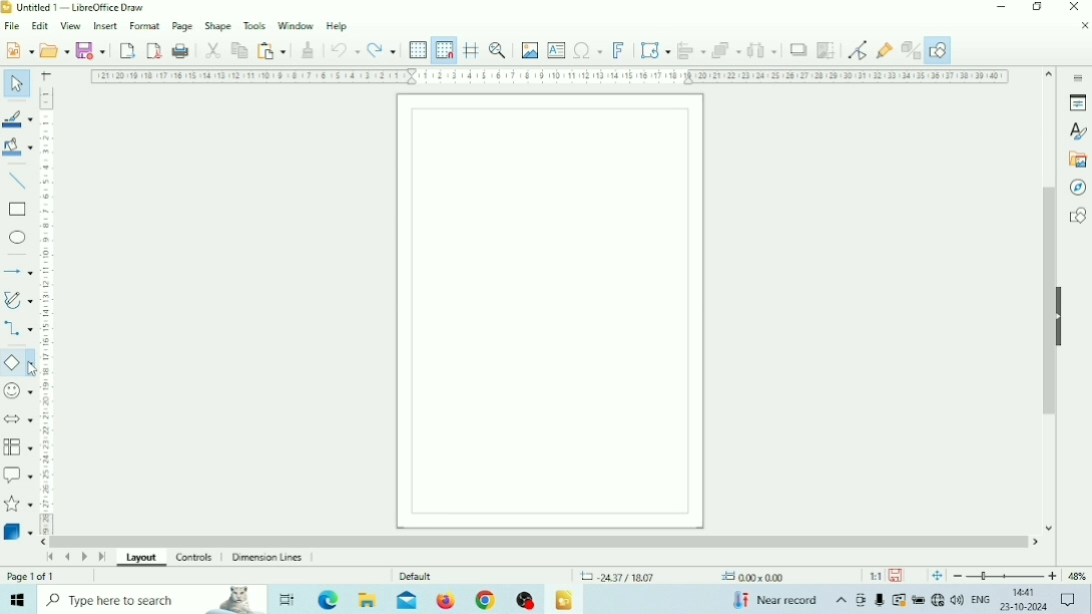 The height and width of the screenshot is (614, 1092). What do you see at coordinates (19, 505) in the screenshot?
I see `Stars and Banners` at bounding box center [19, 505].